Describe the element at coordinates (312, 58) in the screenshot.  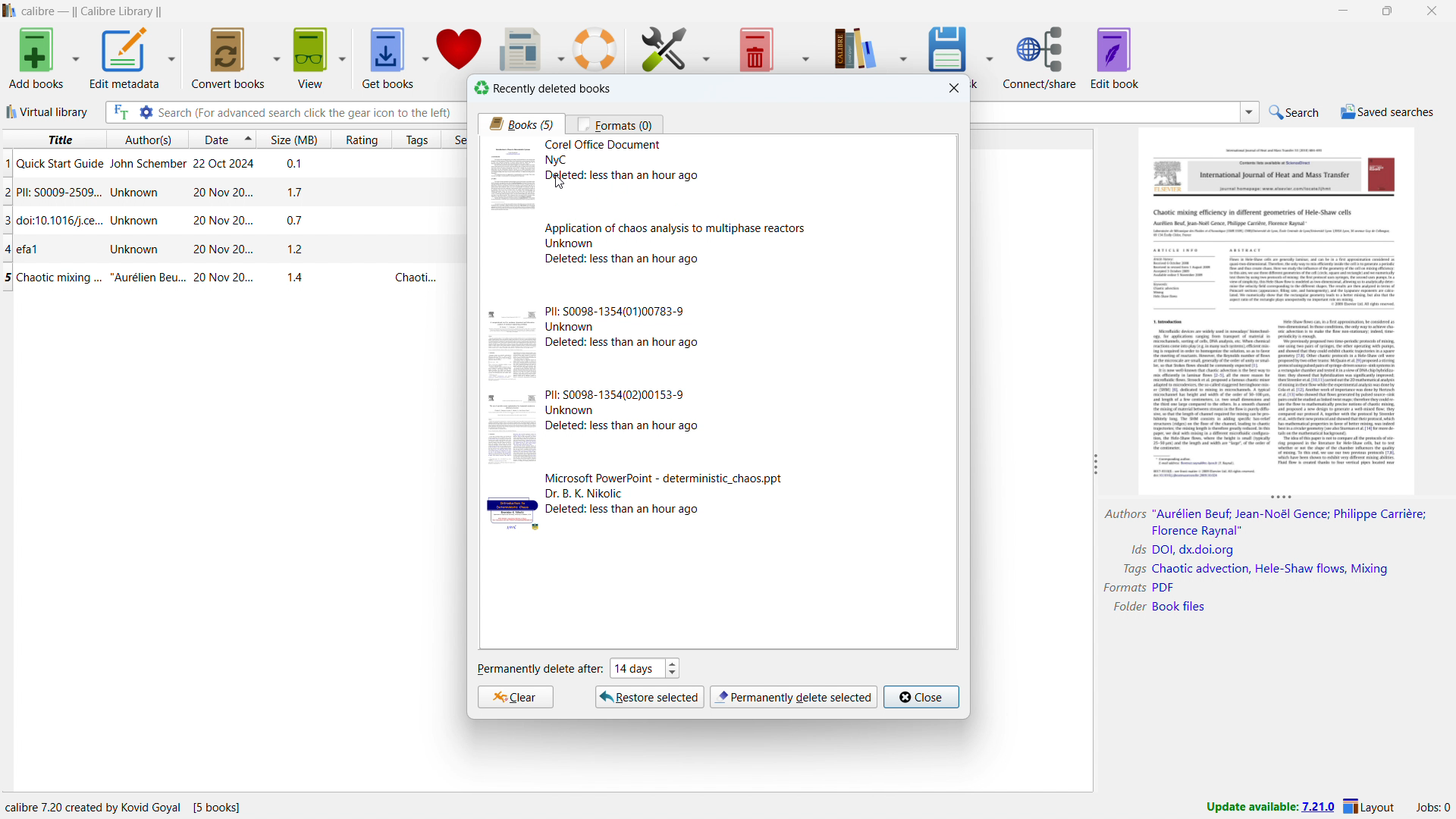
I see `view` at that location.